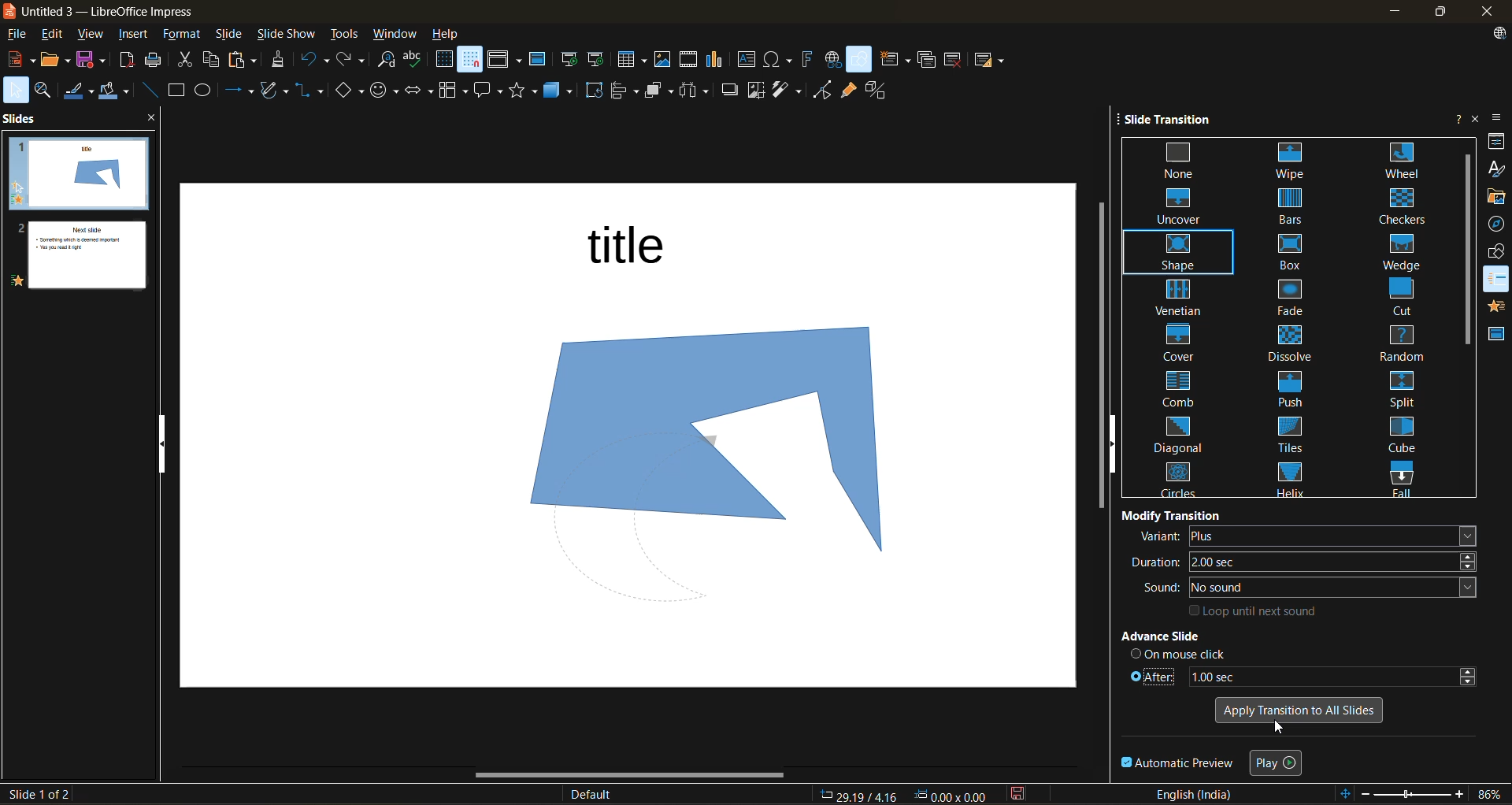  What do you see at coordinates (1173, 514) in the screenshot?
I see `modify transition` at bounding box center [1173, 514].